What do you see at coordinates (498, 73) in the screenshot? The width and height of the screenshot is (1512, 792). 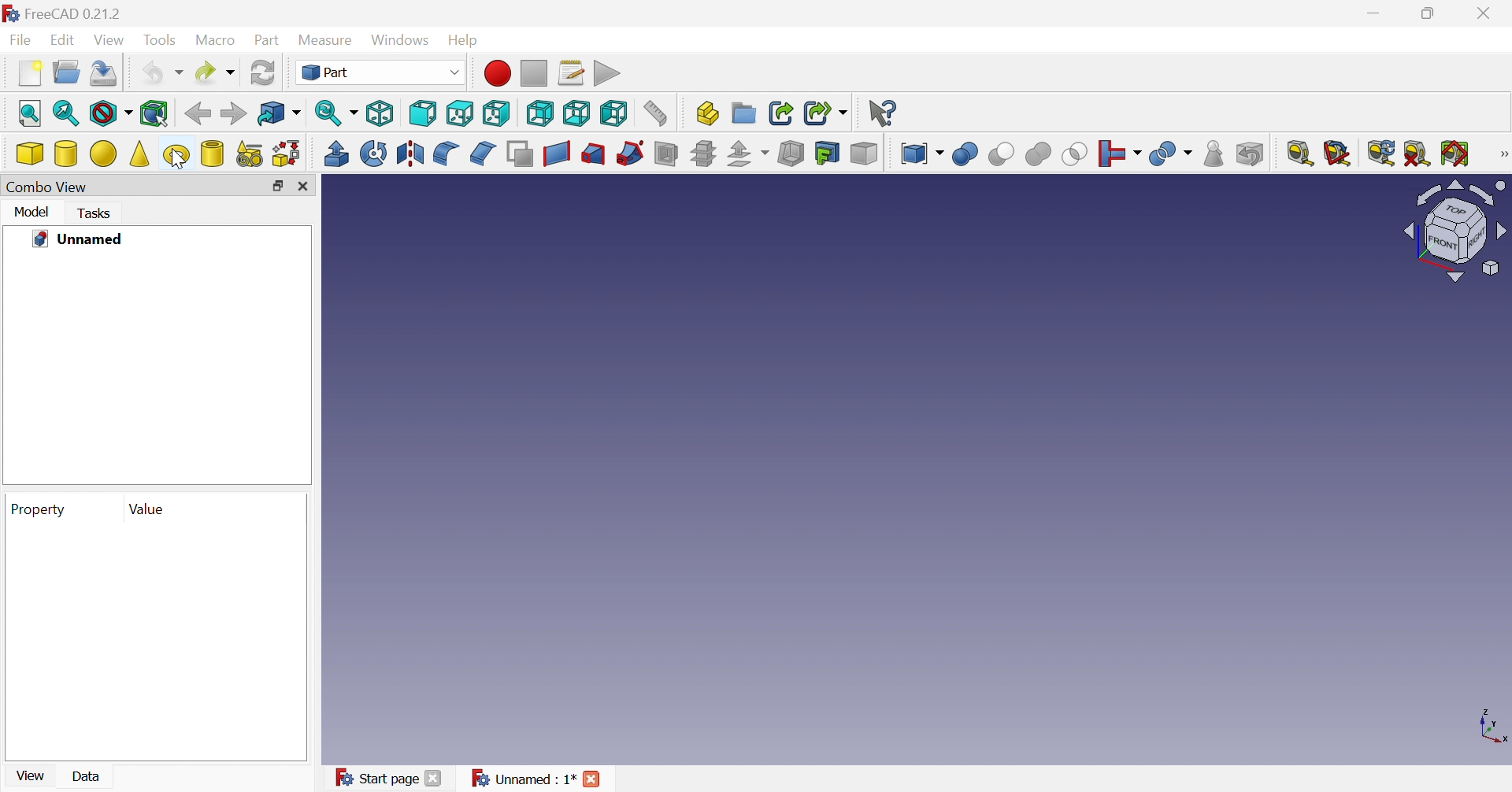 I see `Macro recording...` at bounding box center [498, 73].